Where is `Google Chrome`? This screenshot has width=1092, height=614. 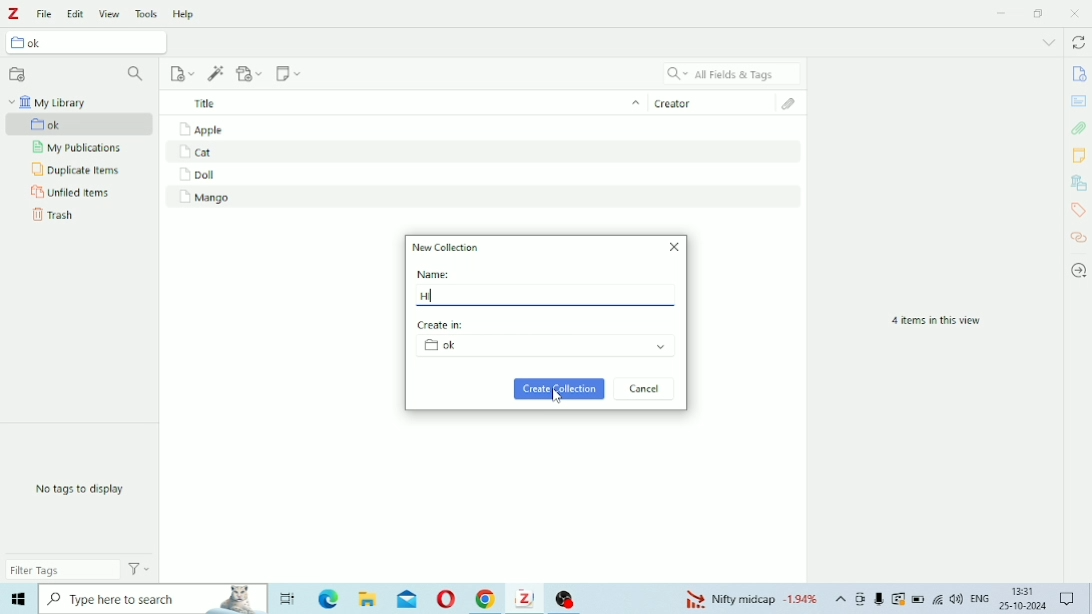
Google Chrome is located at coordinates (487, 599).